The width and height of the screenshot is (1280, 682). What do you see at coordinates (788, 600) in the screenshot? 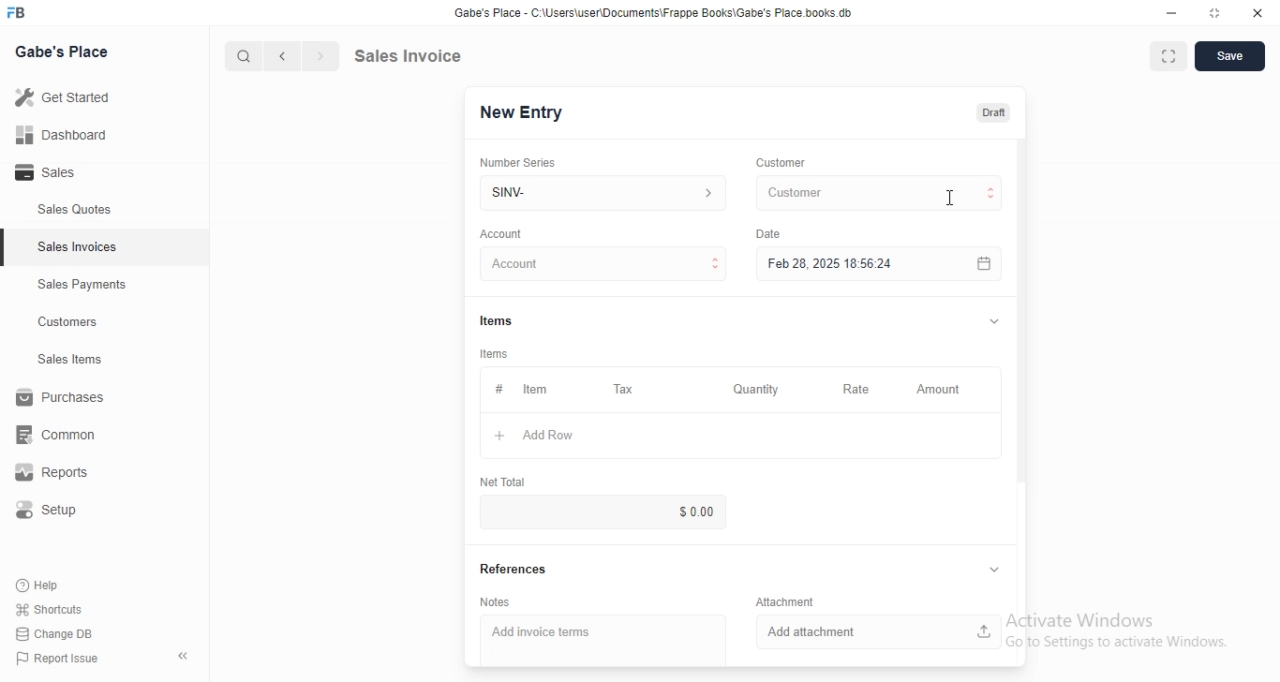
I see `` at bounding box center [788, 600].